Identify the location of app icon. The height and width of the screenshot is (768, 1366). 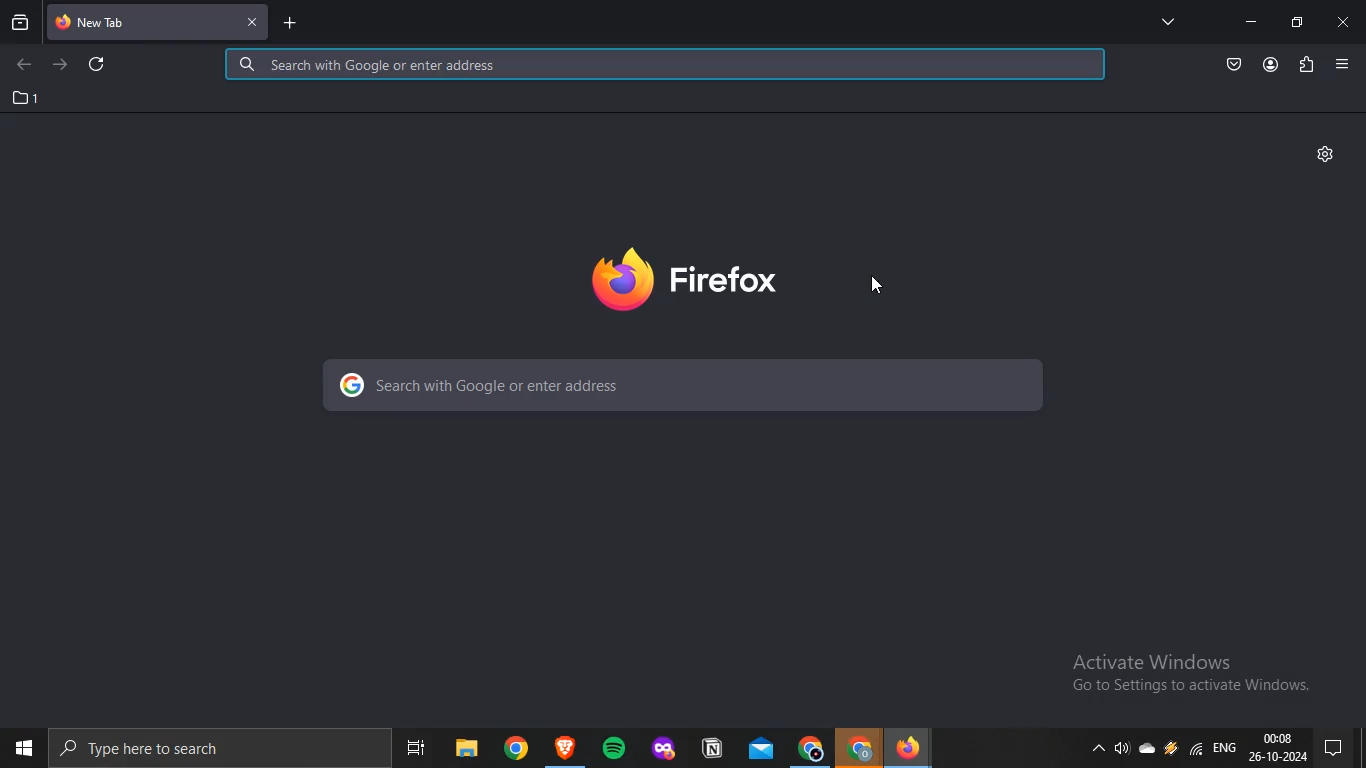
(565, 744).